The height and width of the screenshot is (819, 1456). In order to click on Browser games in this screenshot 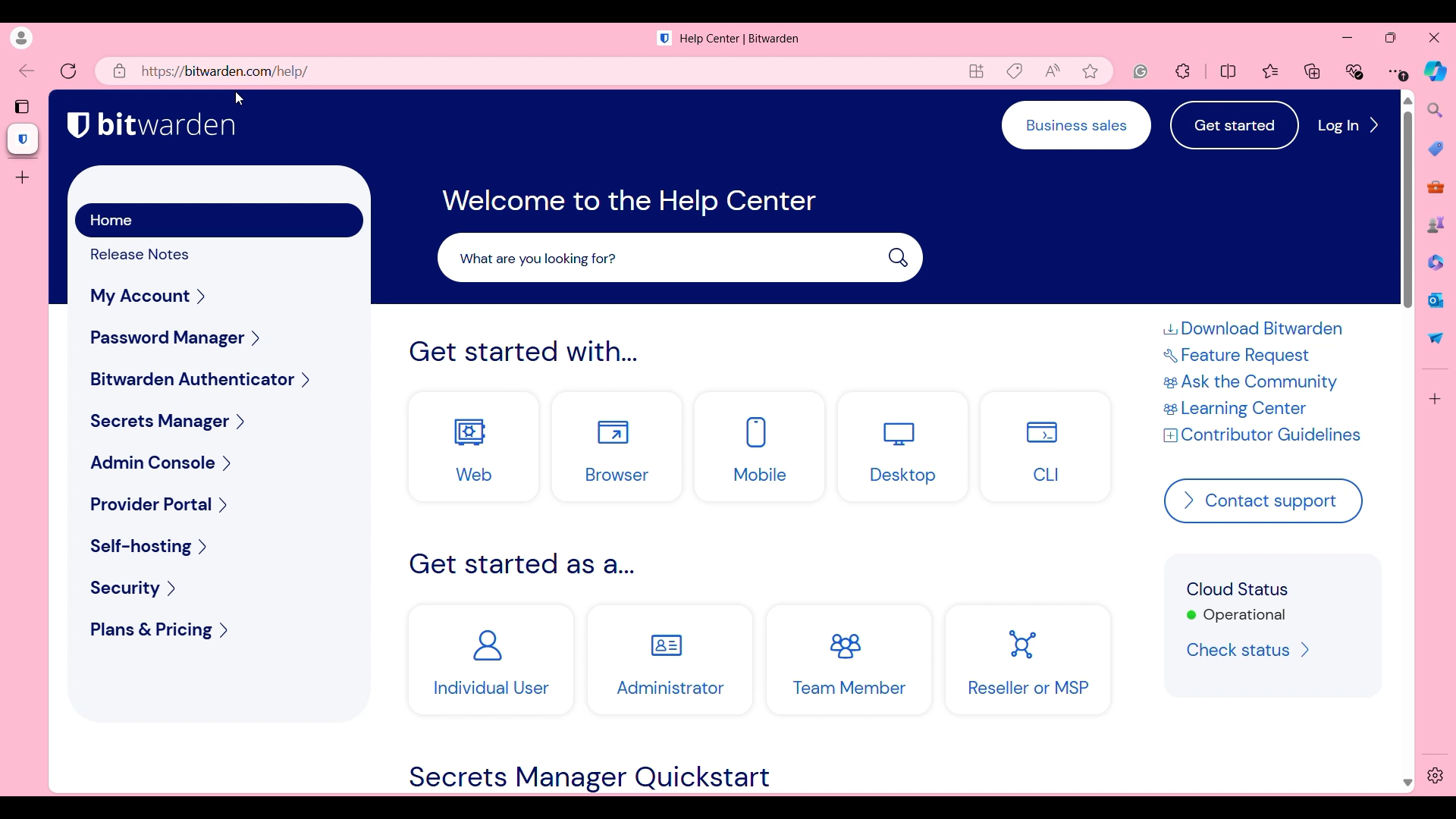, I will do `click(1436, 224)`.